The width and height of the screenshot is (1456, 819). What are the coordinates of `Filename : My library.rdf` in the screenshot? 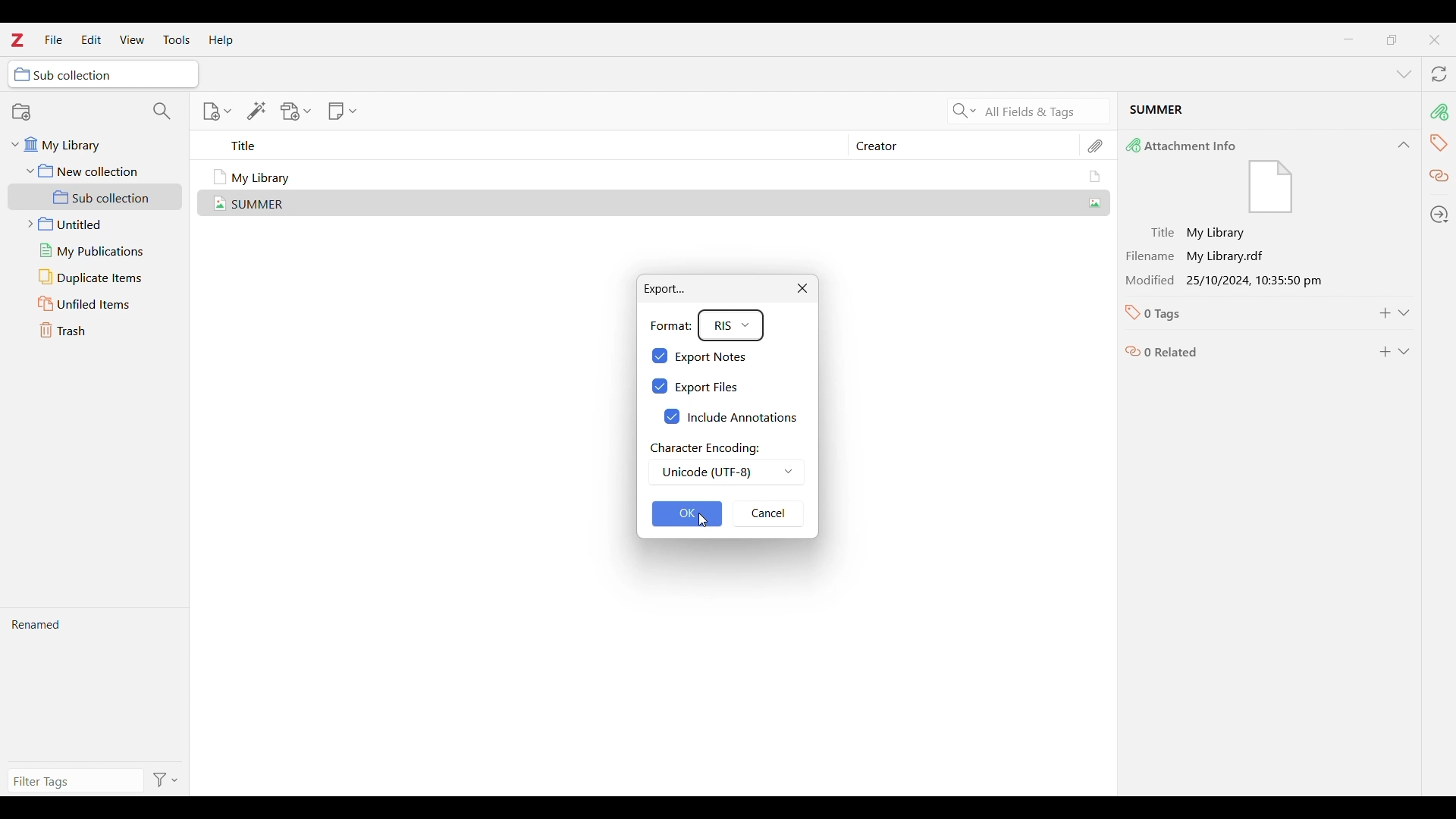 It's located at (1241, 256).